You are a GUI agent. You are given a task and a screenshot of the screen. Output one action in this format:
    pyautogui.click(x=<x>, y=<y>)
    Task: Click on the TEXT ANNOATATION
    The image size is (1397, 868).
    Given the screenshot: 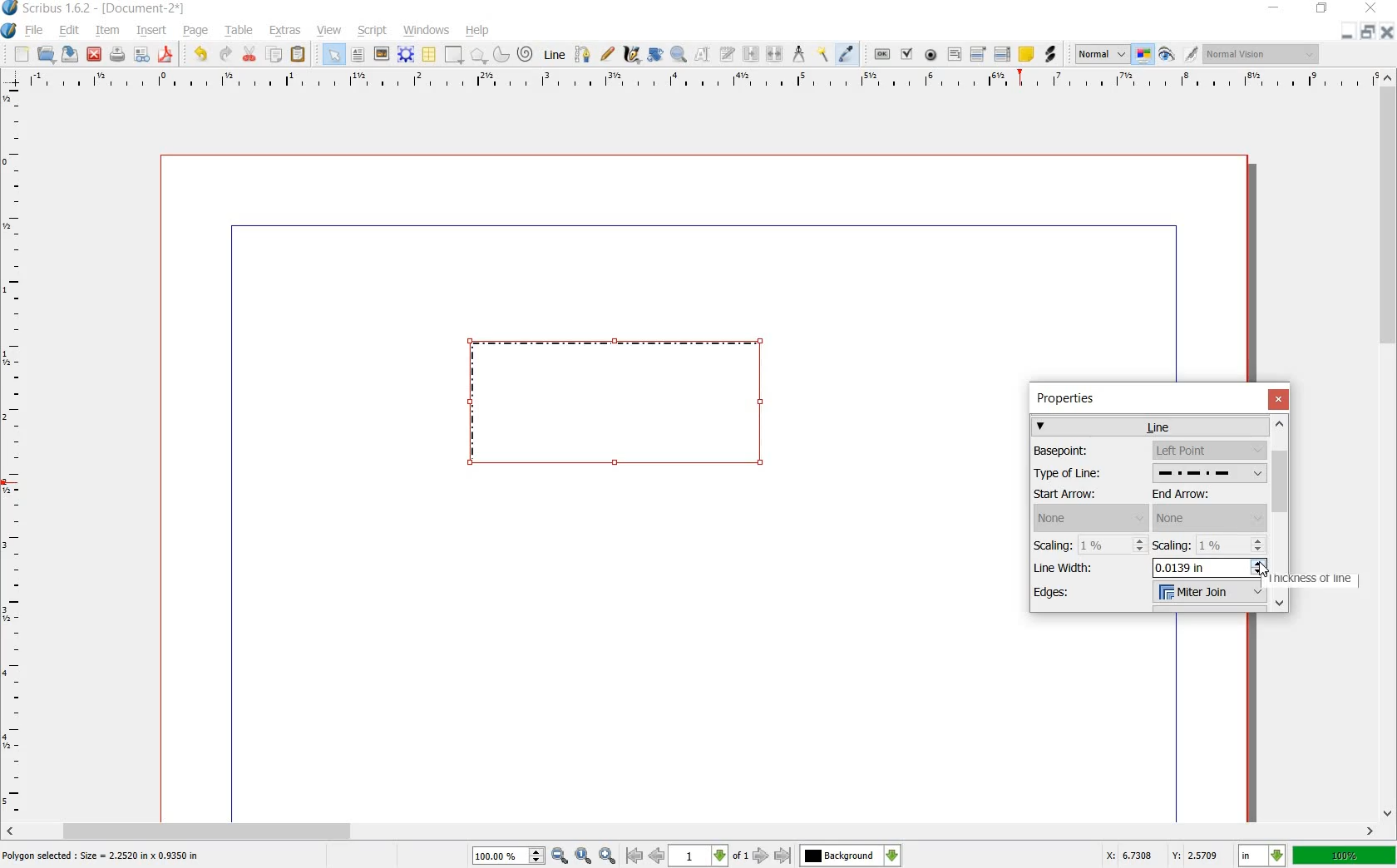 What is the action you would take?
    pyautogui.click(x=1025, y=55)
    